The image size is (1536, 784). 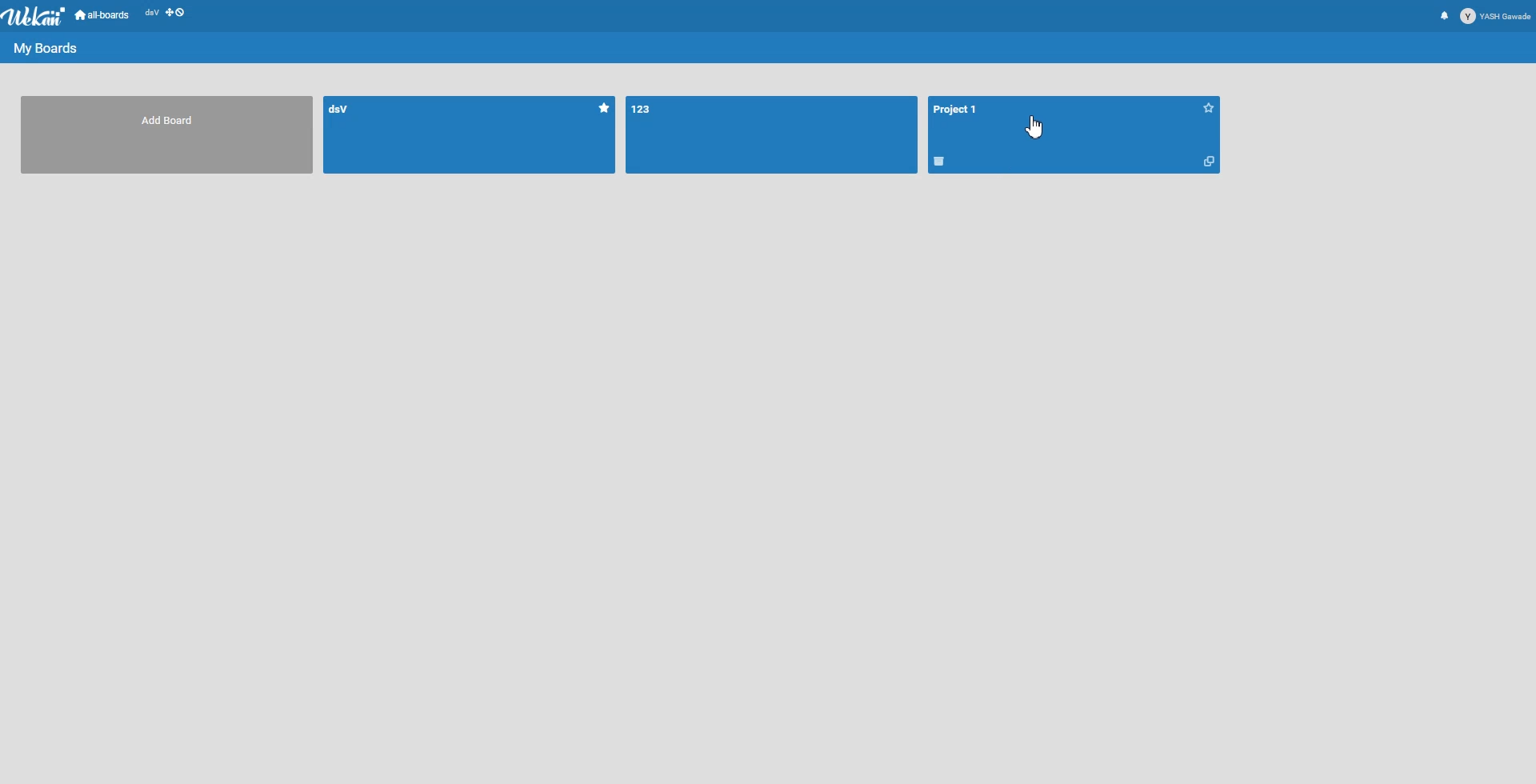 What do you see at coordinates (940, 162) in the screenshot?
I see `Delete Board` at bounding box center [940, 162].